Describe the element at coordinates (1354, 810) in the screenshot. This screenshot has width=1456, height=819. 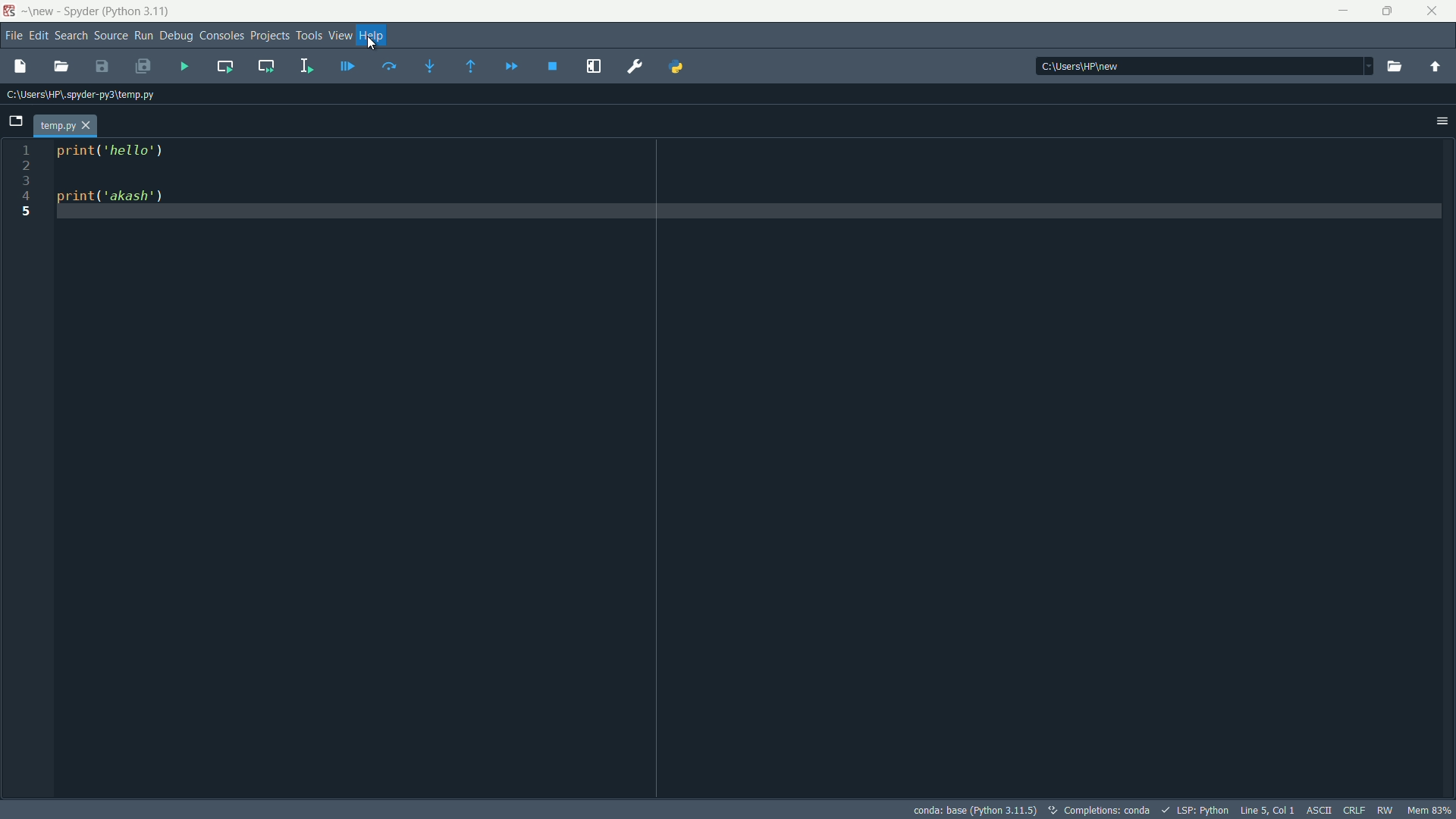
I see `file eol status` at that location.